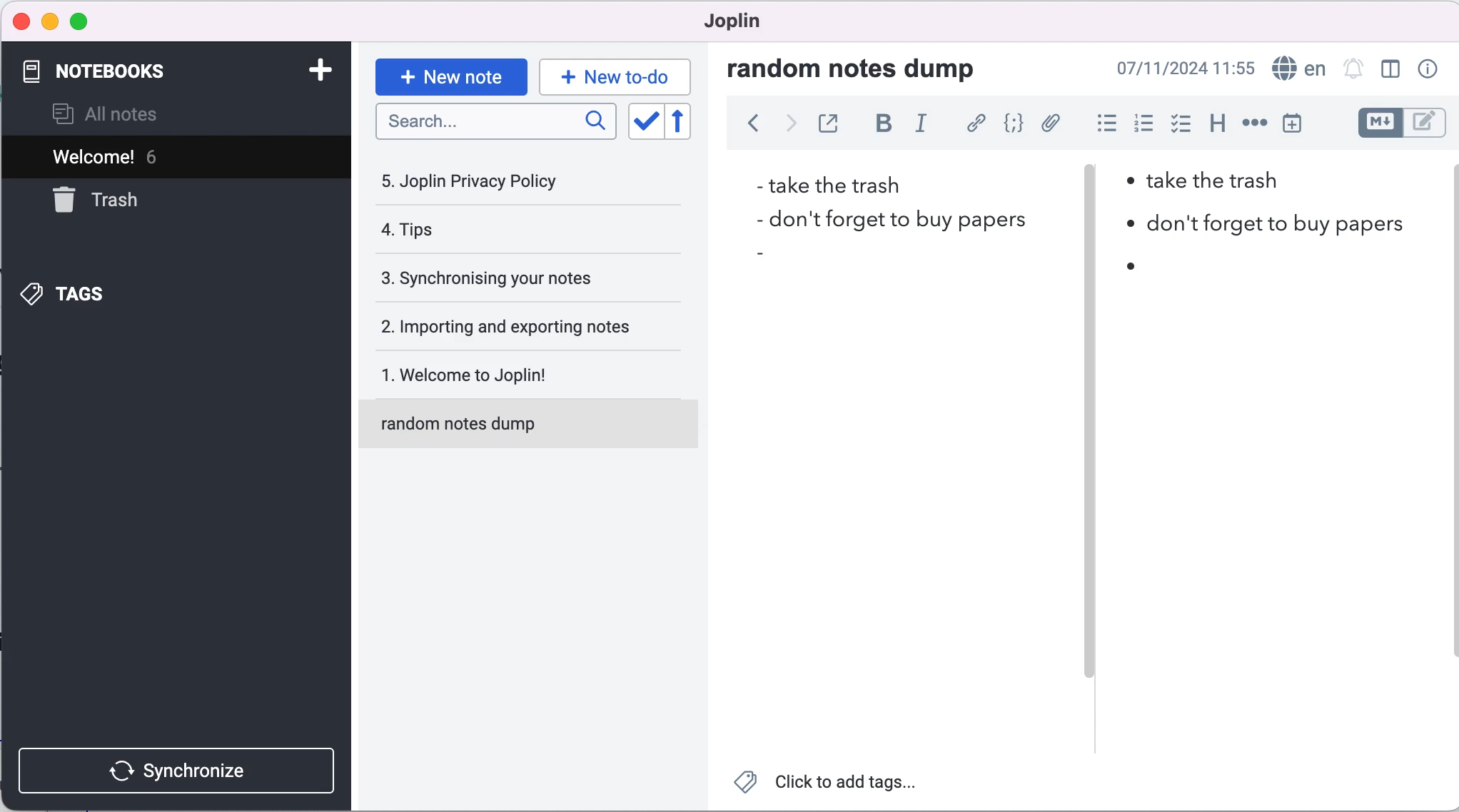 The height and width of the screenshot is (812, 1459). What do you see at coordinates (828, 125) in the screenshot?
I see `toggle external editing` at bounding box center [828, 125].